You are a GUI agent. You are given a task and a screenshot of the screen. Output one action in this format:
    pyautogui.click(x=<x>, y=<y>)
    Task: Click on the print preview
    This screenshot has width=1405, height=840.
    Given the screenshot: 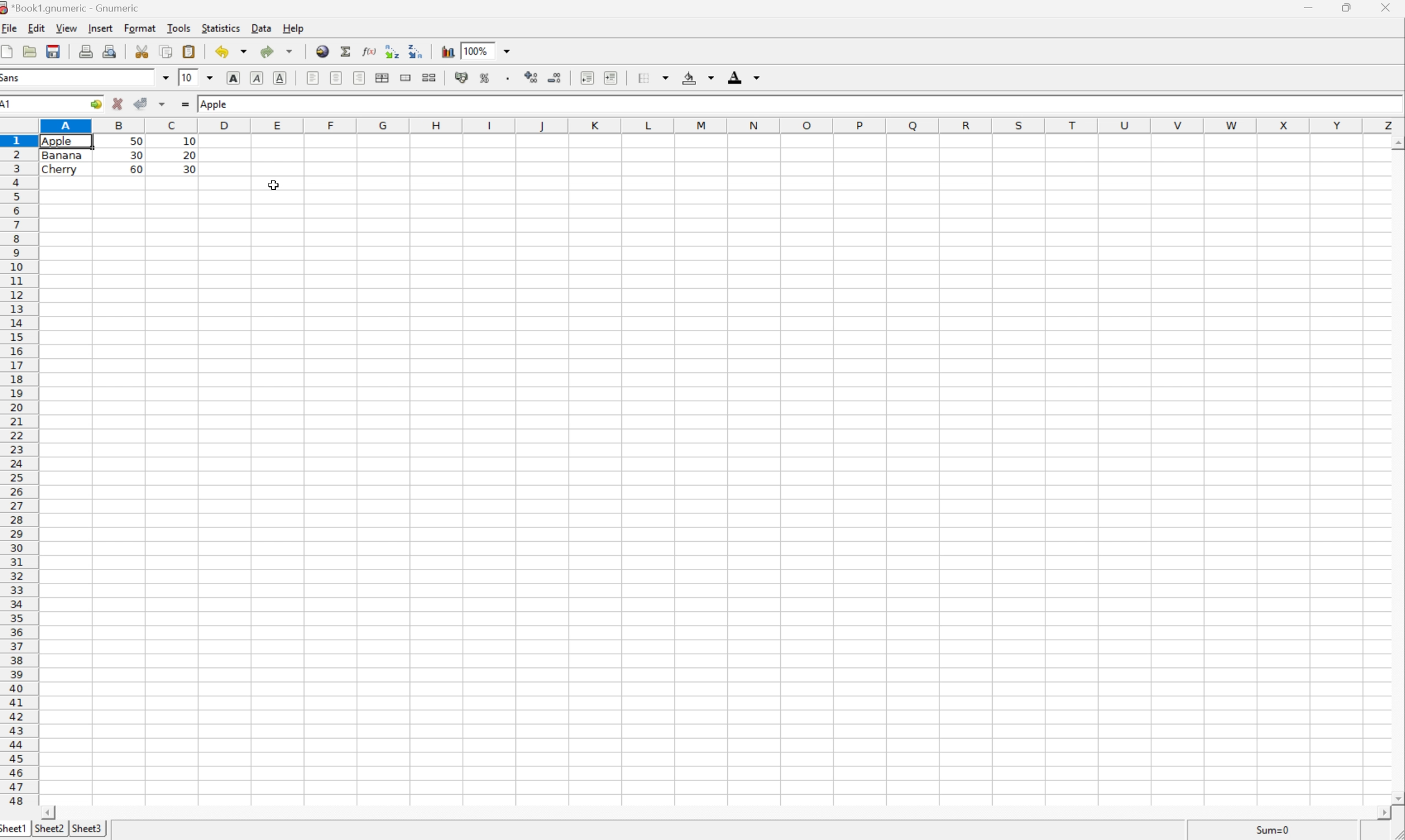 What is the action you would take?
    pyautogui.click(x=111, y=50)
    